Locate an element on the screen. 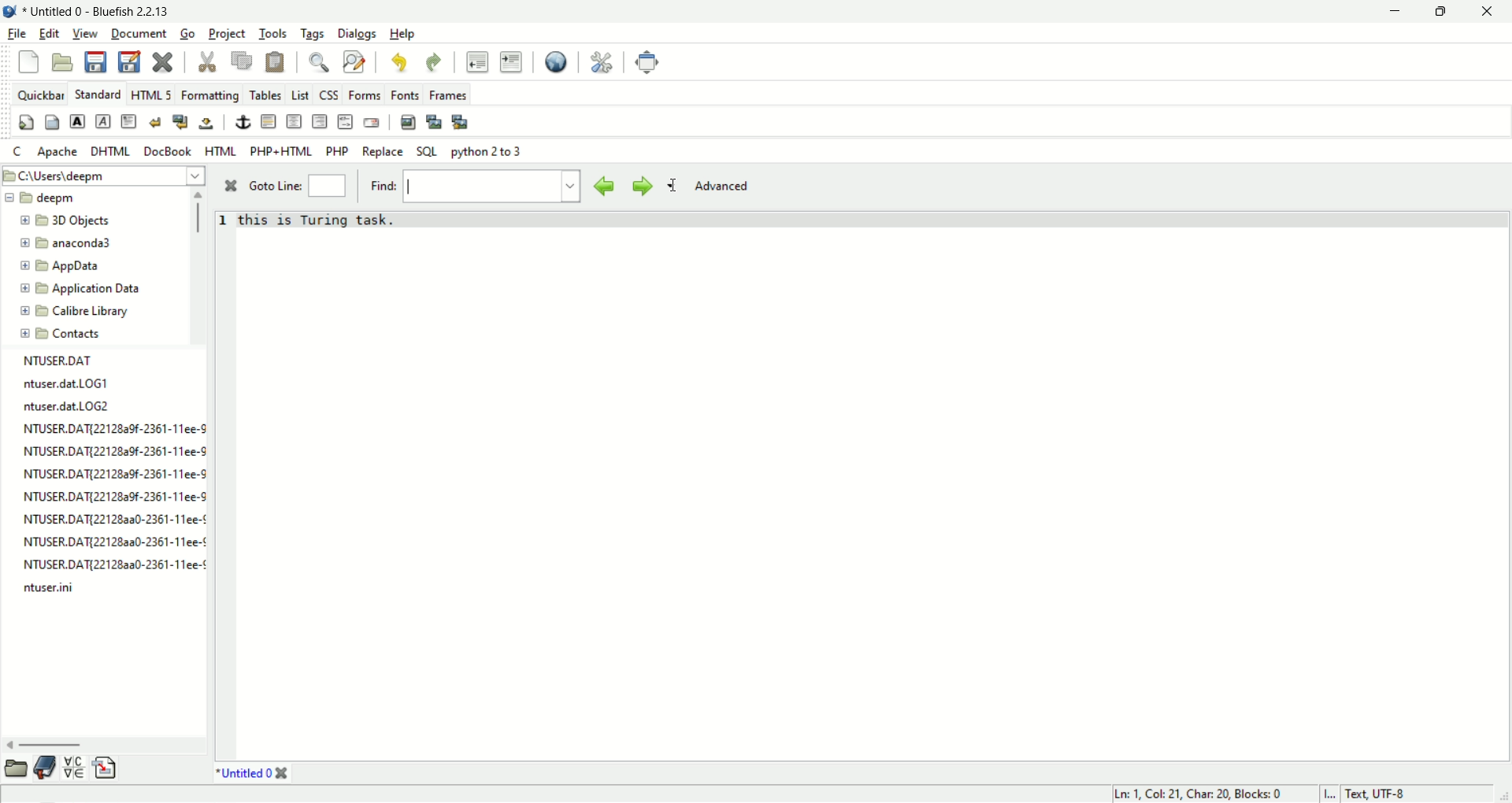 The height and width of the screenshot is (803, 1512). ntuser.ini is located at coordinates (52, 590).